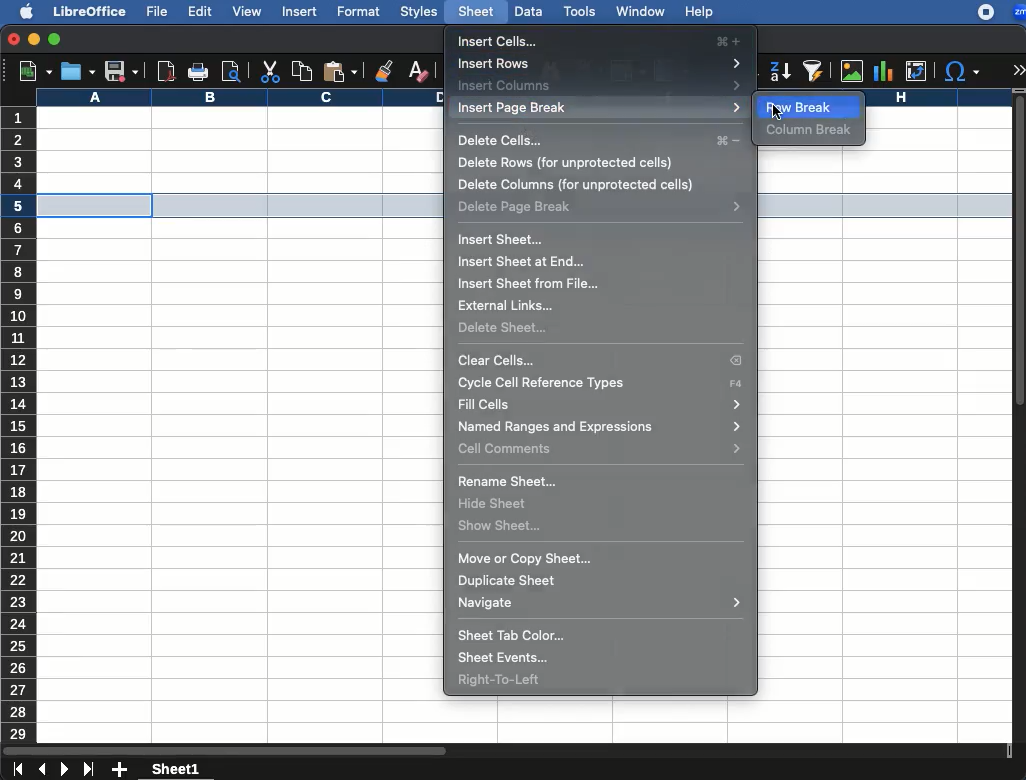 This screenshot has width=1026, height=780. What do you see at coordinates (601, 64) in the screenshot?
I see `insert rows` at bounding box center [601, 64].